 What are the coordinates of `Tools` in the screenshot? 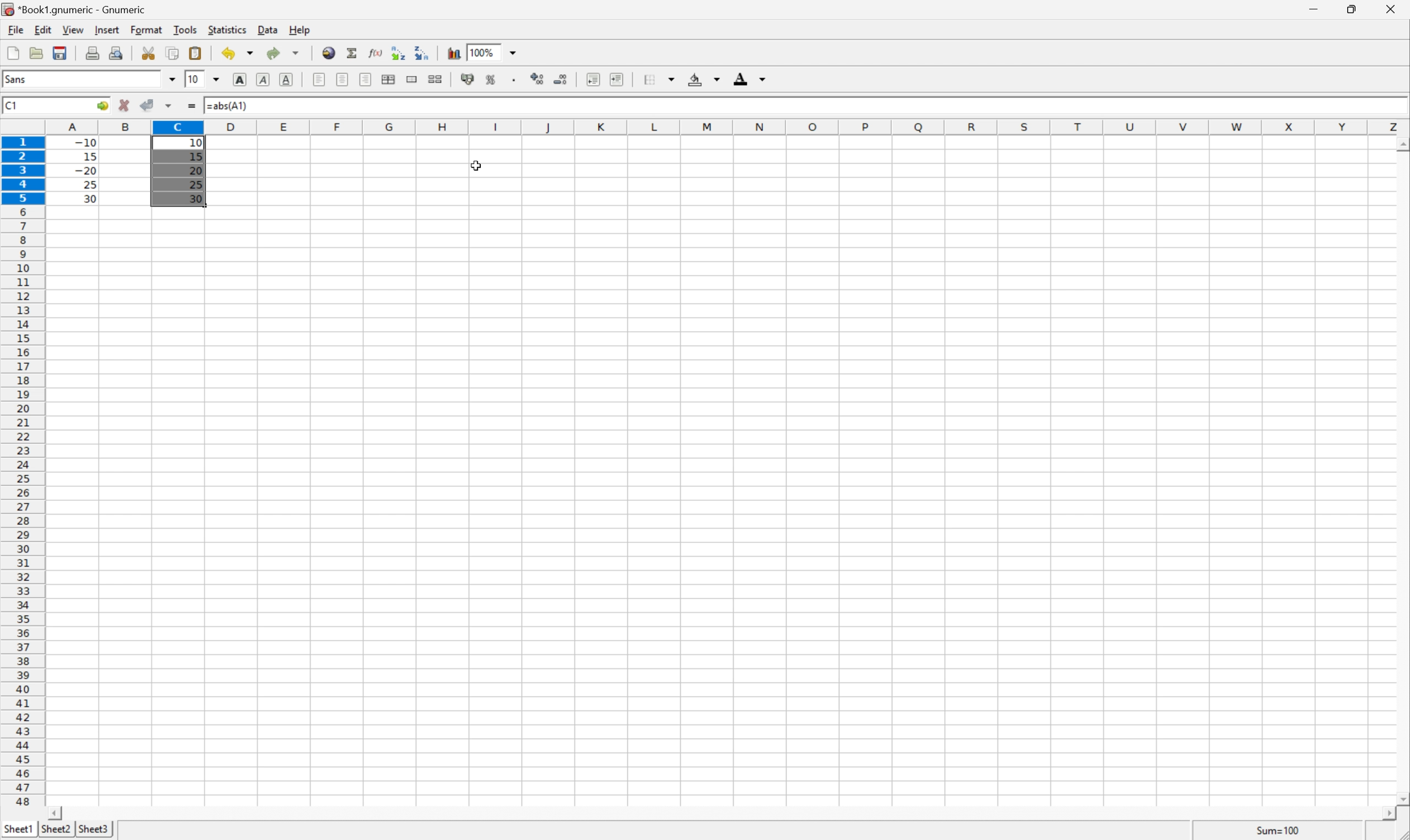 It's located at (186, 29).